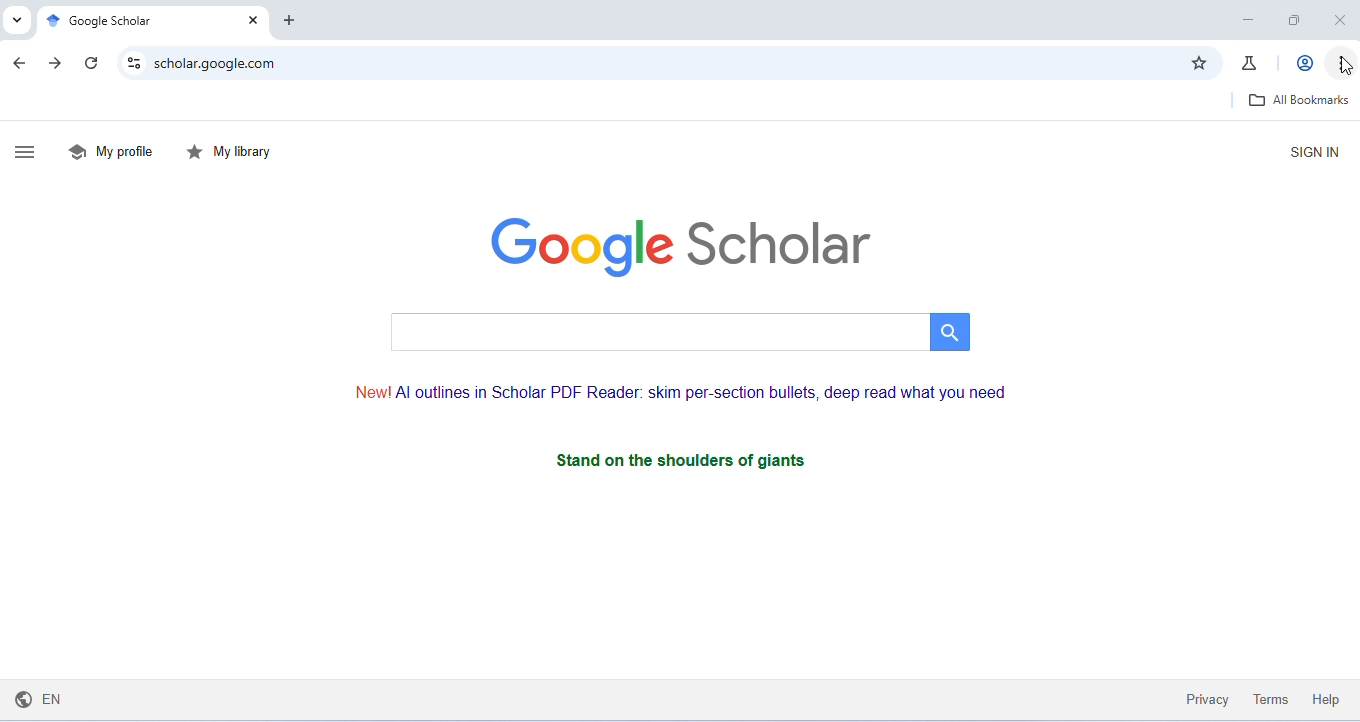 Image resolution: width=1360 pixels, height=722 pixels. What do you see at coordinates (1293, 22) in the screenshot?
I see `maximize` at bounding box center [1293, 22].